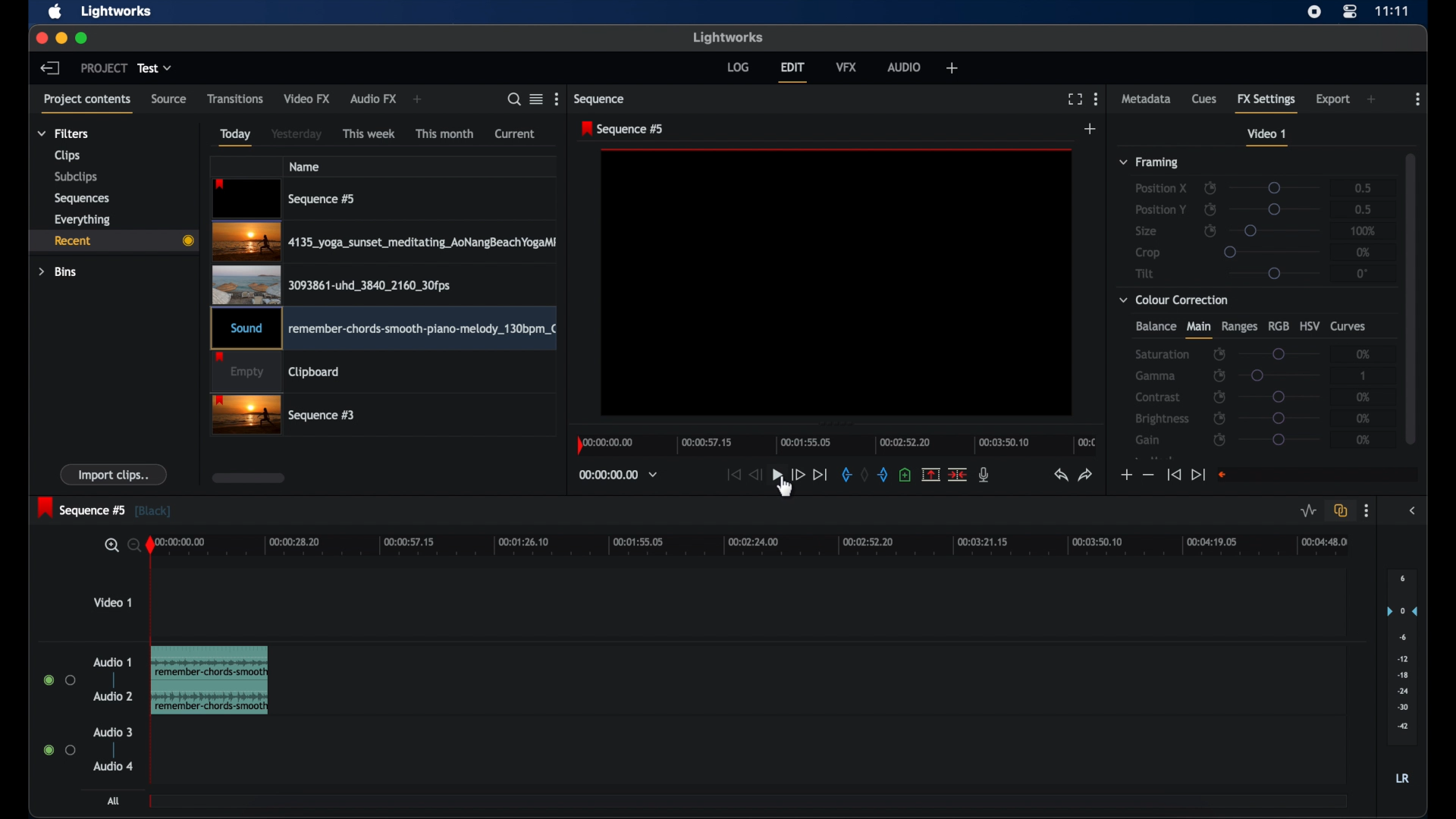 This screenshot has width=1456, height=819. I want to click on video clip, so click(276, 373).